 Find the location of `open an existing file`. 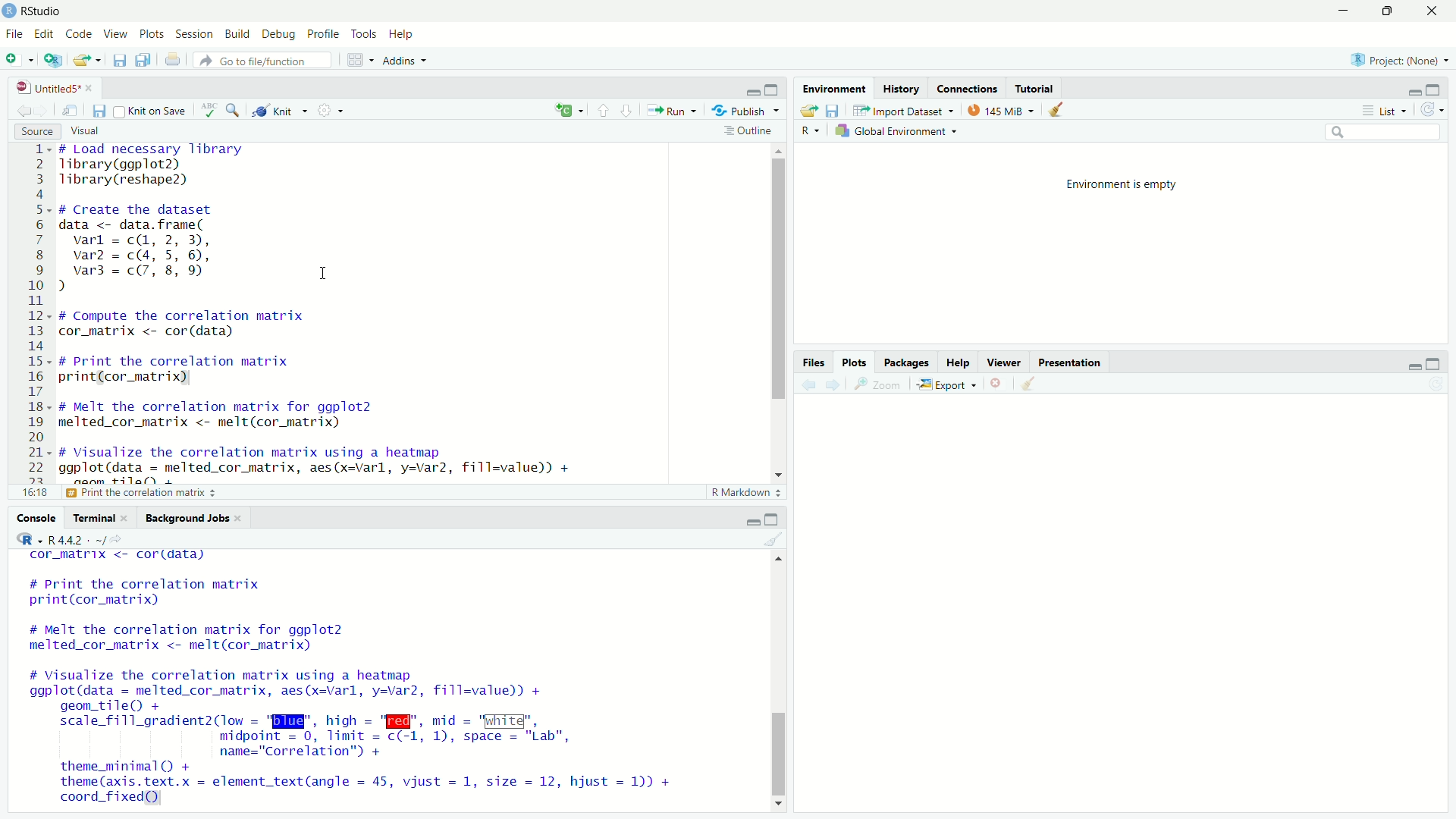

open an existing file is located at coordinates (86, 60).